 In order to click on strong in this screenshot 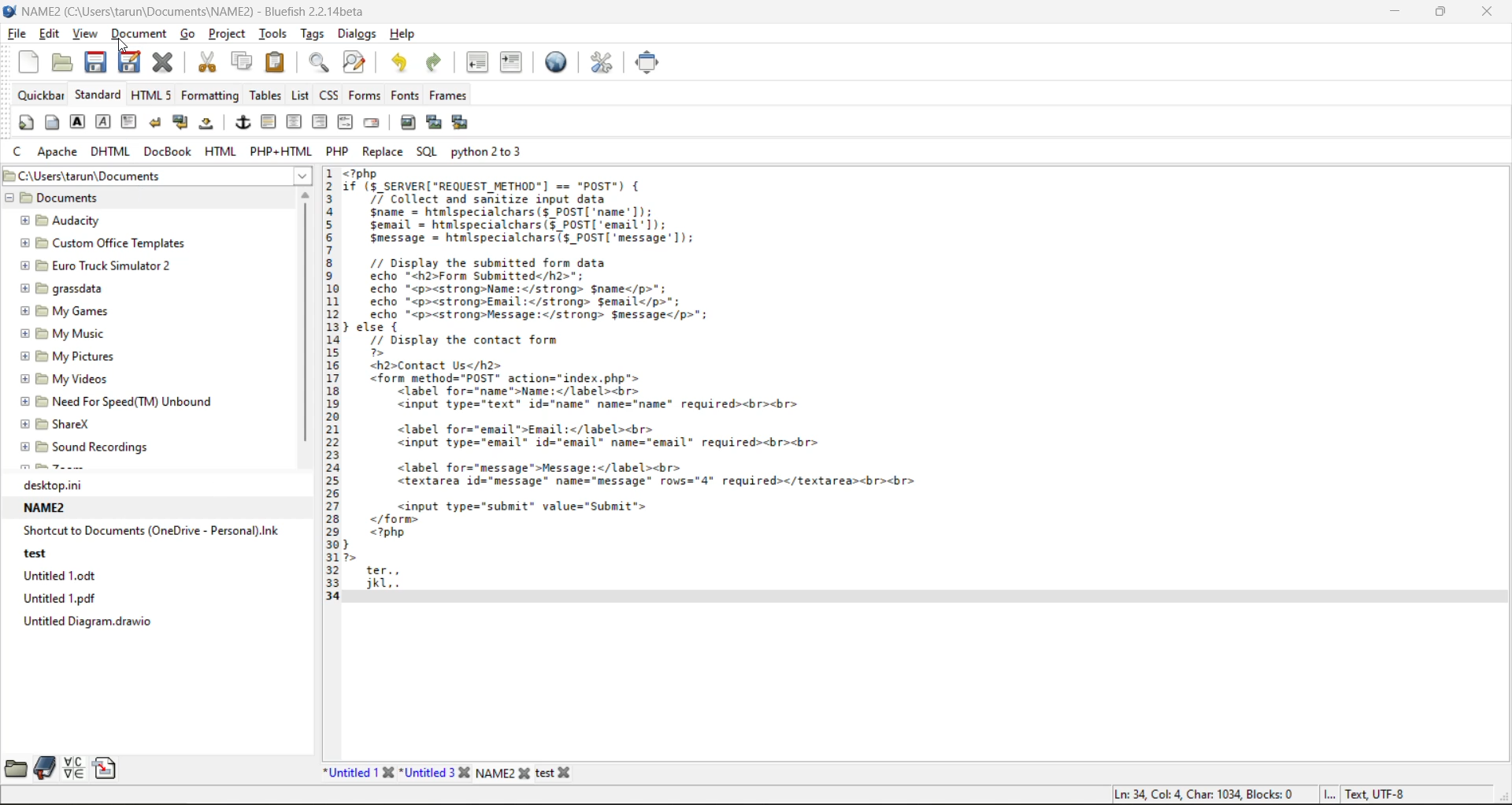, I will do `click(79, 122)`.